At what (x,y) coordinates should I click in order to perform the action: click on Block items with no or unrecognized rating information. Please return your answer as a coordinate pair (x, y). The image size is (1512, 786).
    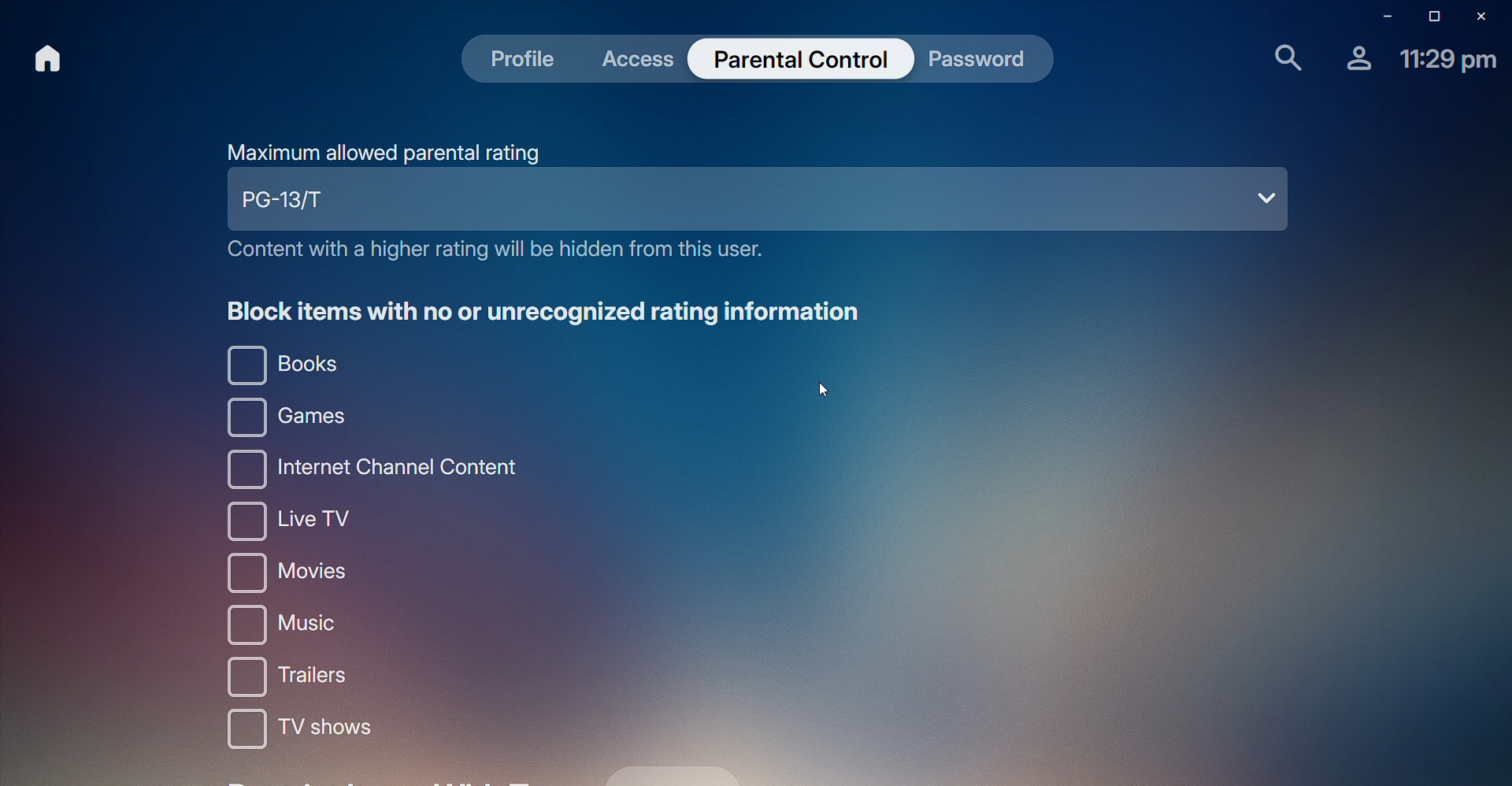
    Looking at the image, I should click on (548, 311).